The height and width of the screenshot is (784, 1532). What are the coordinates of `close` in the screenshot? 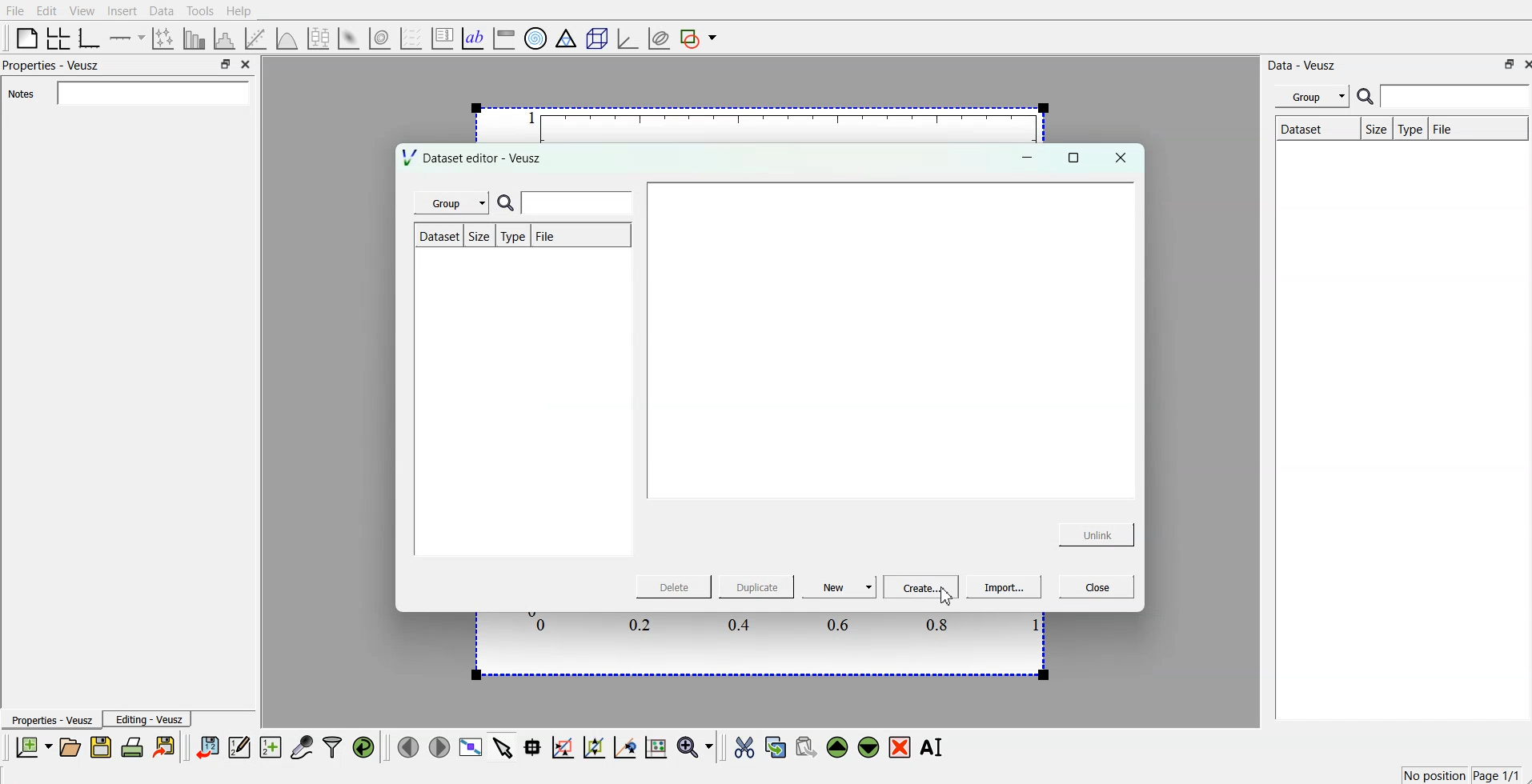 It's located at (247, 62).